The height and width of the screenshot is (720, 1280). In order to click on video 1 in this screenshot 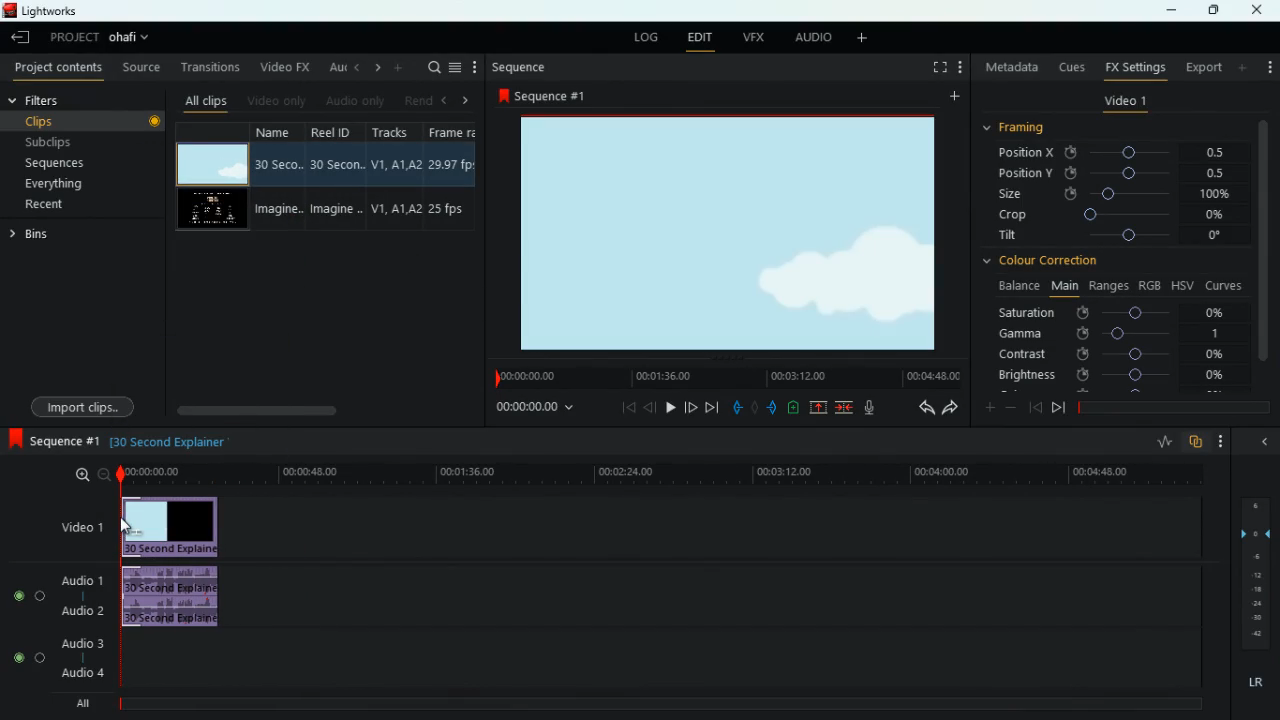, I will do `click(79, 526)`.